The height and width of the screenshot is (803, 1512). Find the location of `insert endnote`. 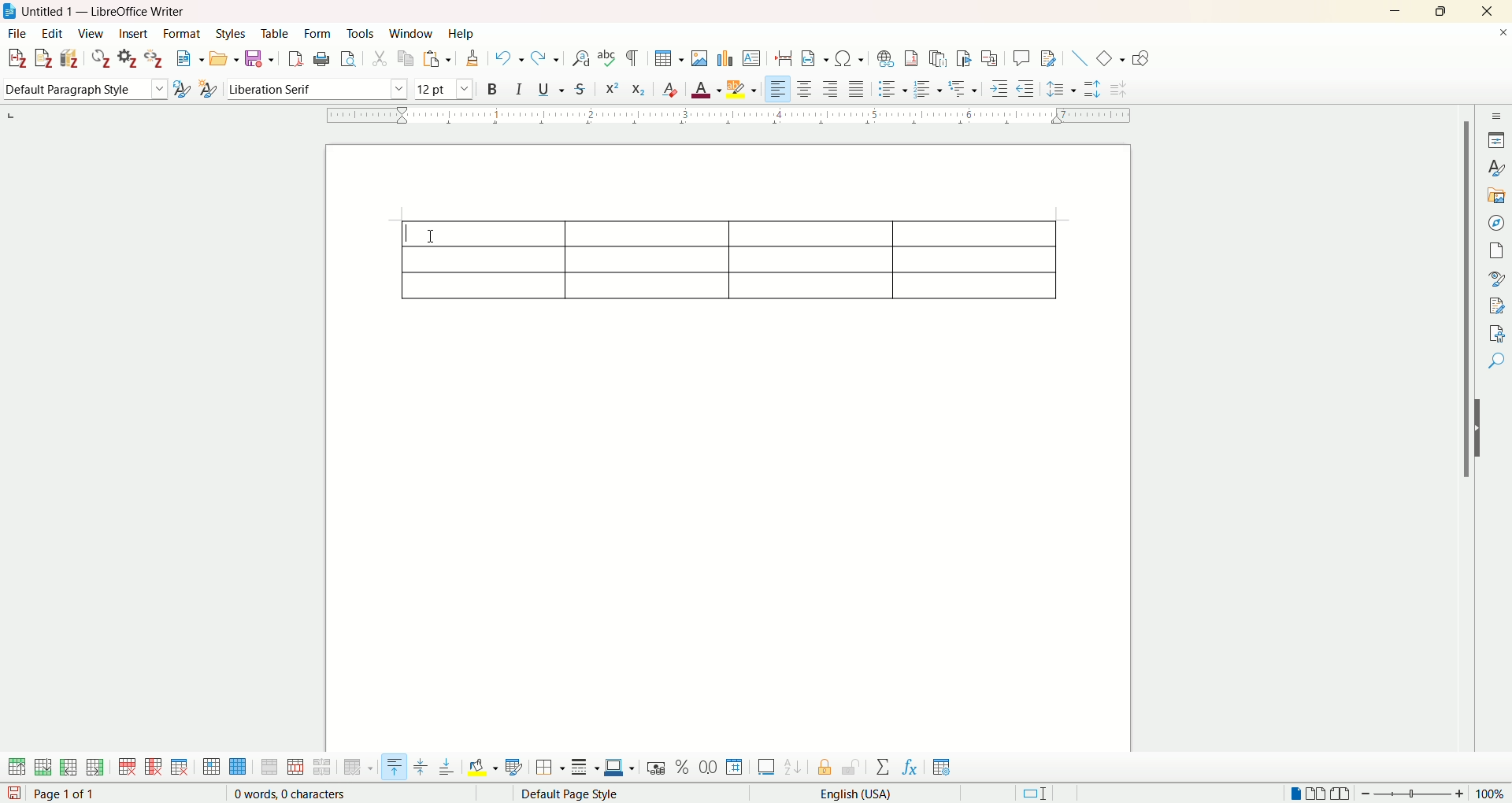

insert endnote is located at coordinates (942, 59).